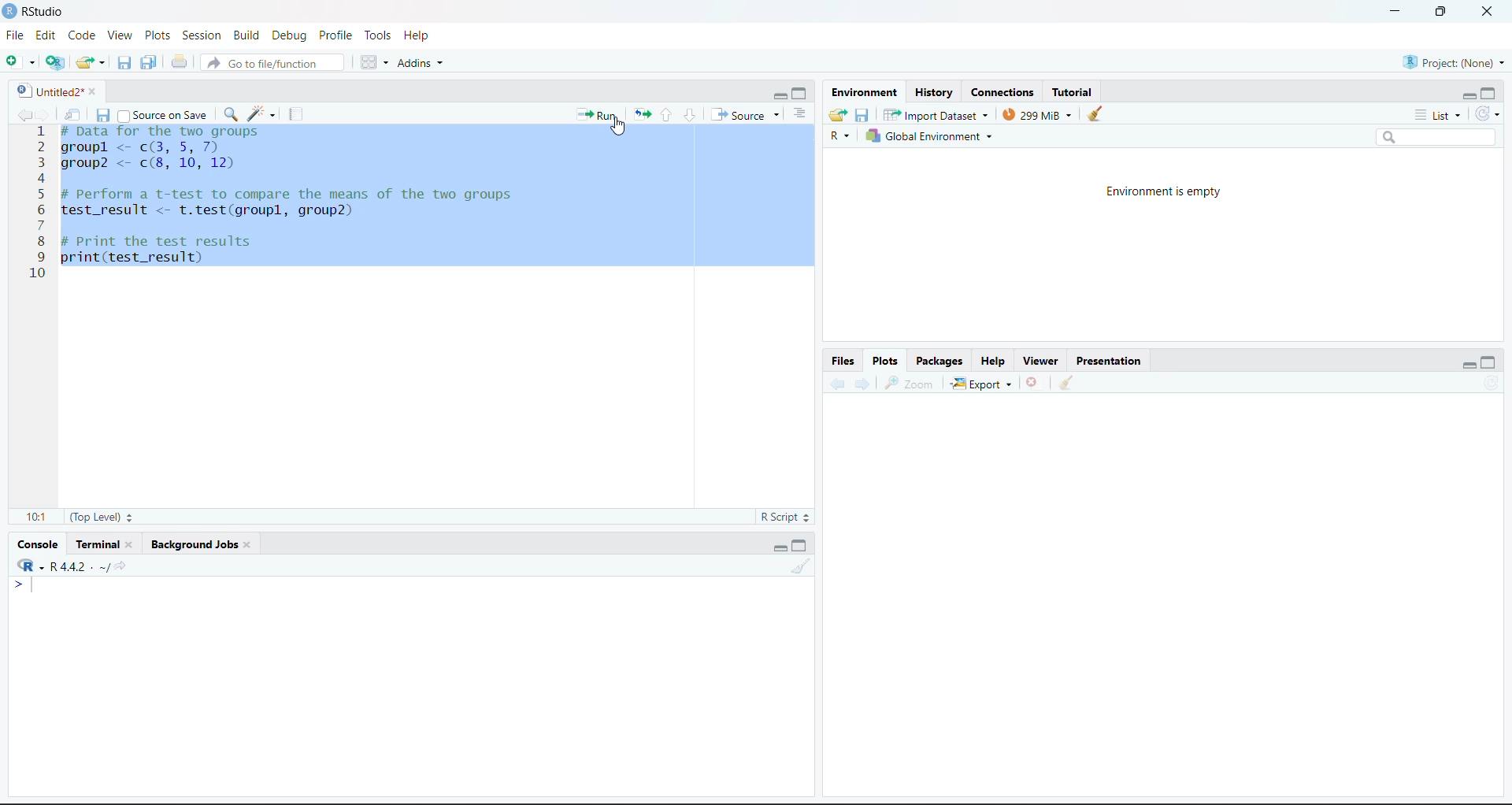  What do you see at coordinates (1490, 115) in the screenshot?
I see `refresh the list of objects in the environment` at bounding box center [1490, 115].